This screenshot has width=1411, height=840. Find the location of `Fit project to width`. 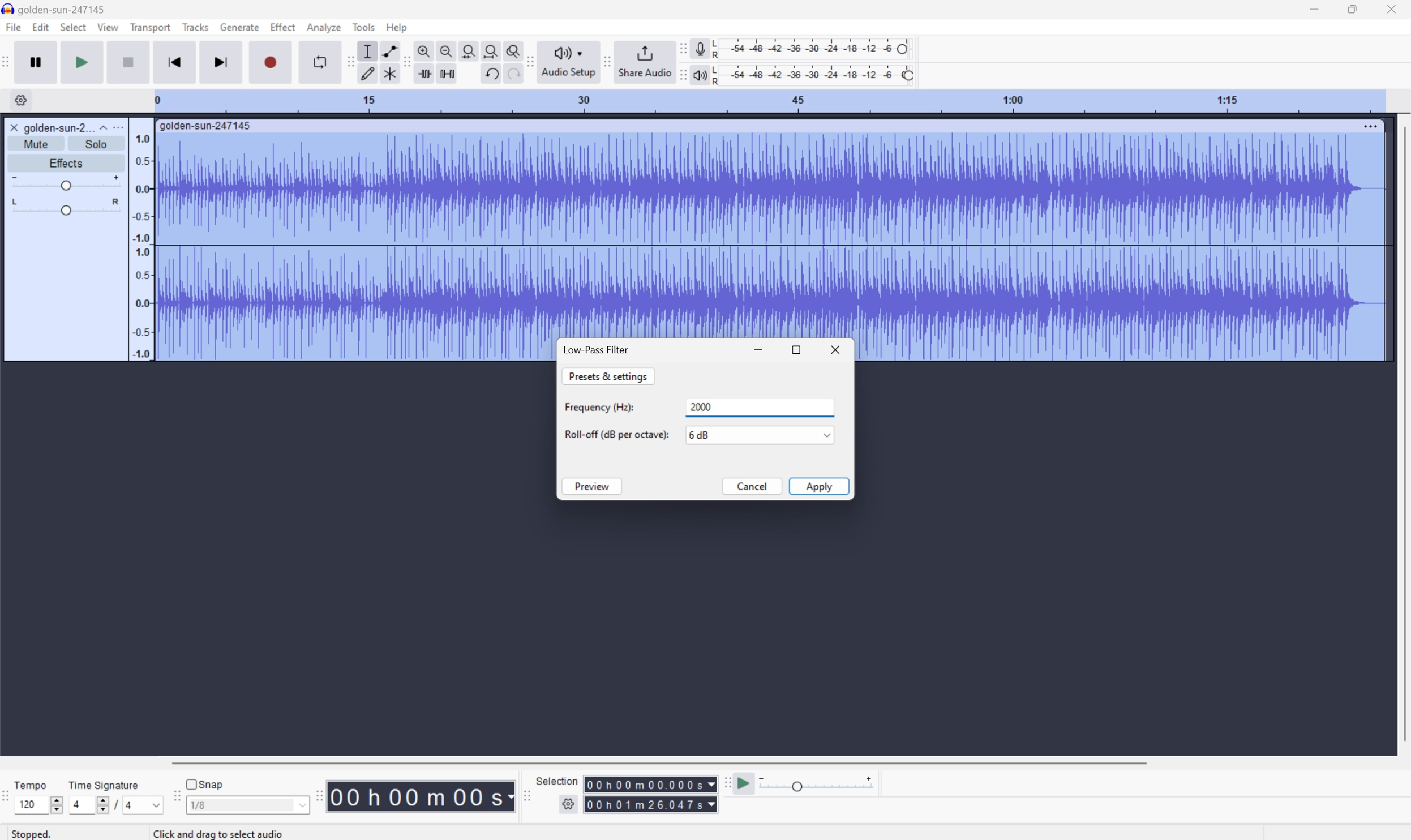

Fit project to width is located at coordinates (490, 49).